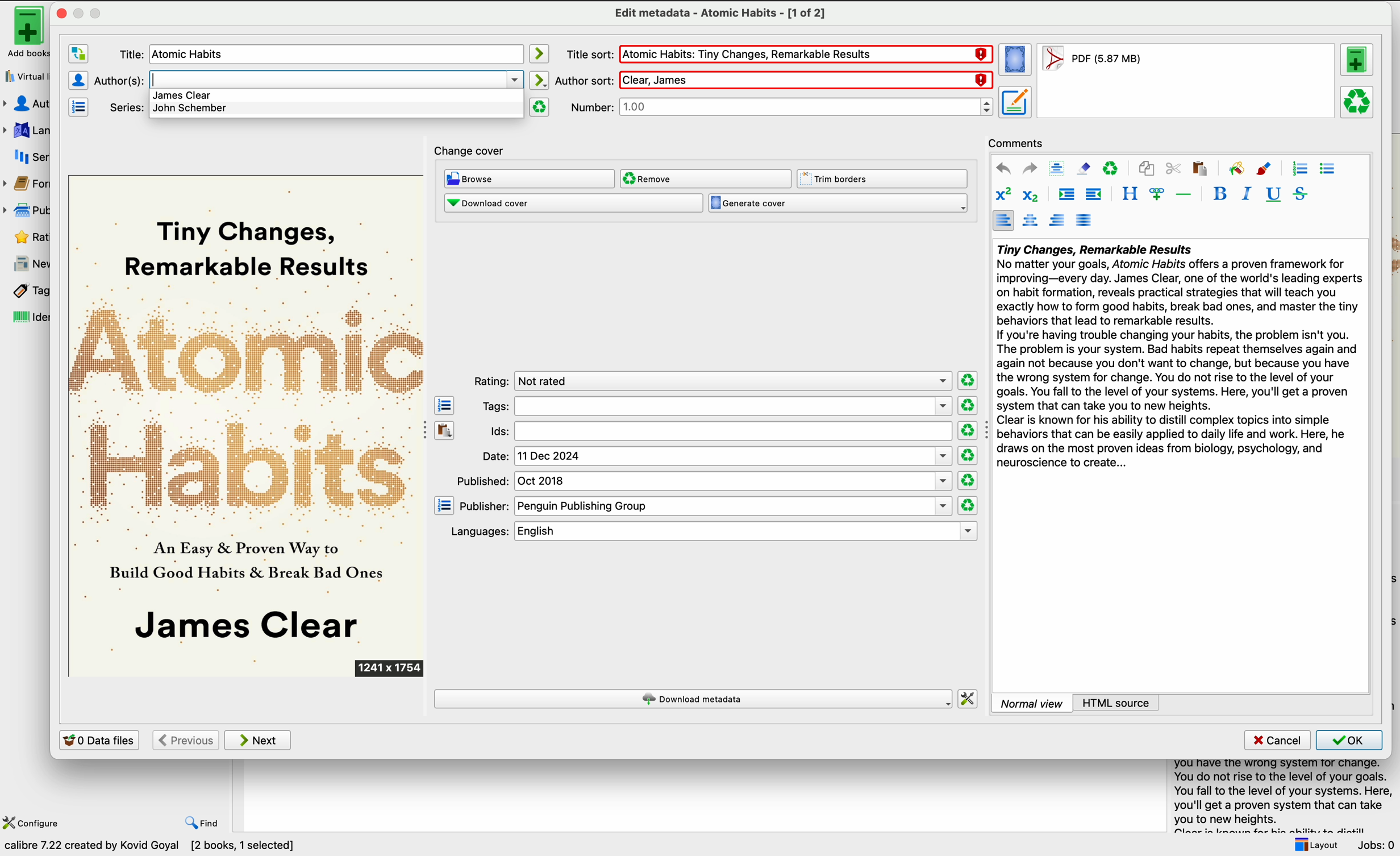 This screenshot has height=856, width=1400. What do you see at coordinates (23, 32) in the screenshot?
I see `add books` at bounding box center [23, 32].